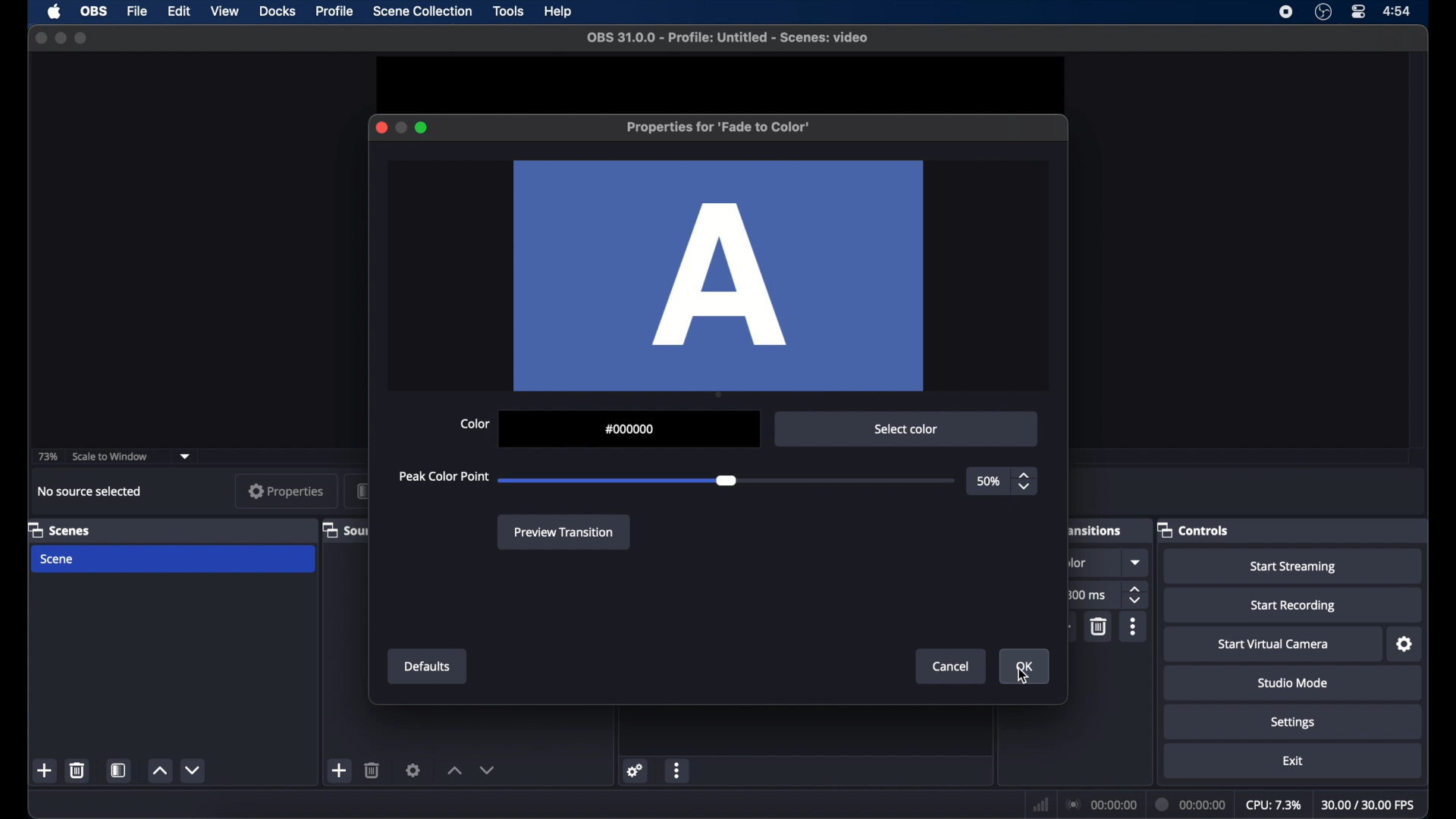 The image size is (1456, 819). What do you see at coordinates (55, 11) in the screenshot?
I see `apple icon` at bounding box center [55, 11].